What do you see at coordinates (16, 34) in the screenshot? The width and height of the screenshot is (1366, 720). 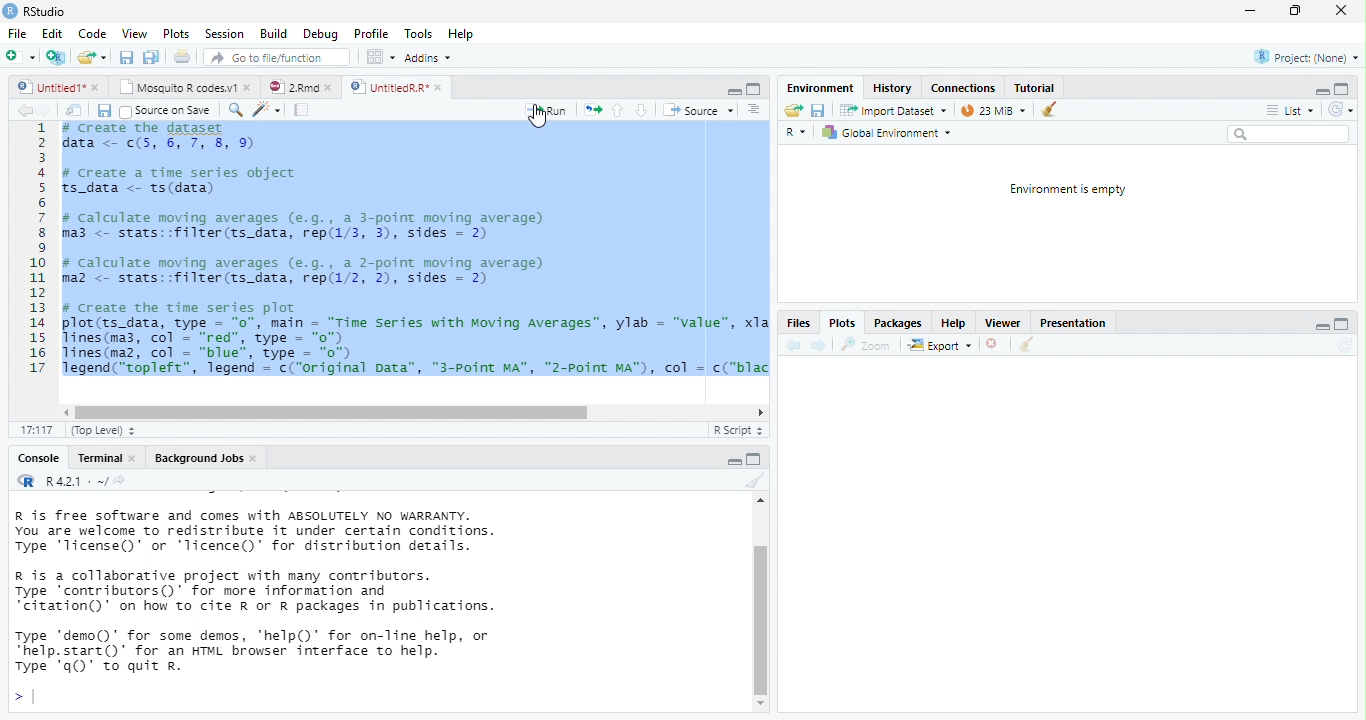 I see `File` at bounding box center [16, 34].